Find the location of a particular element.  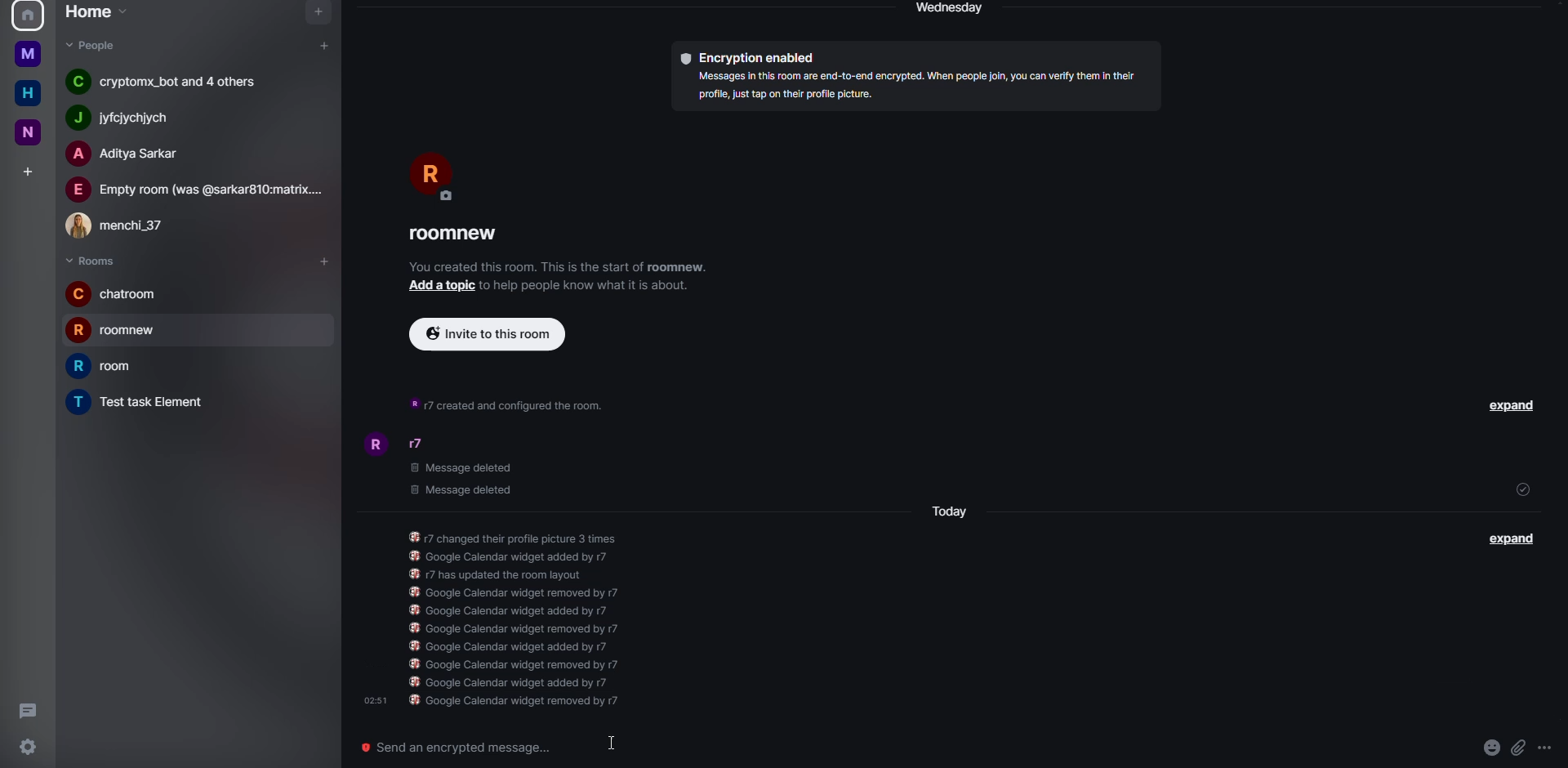

people is located at coordinates (425, 445).